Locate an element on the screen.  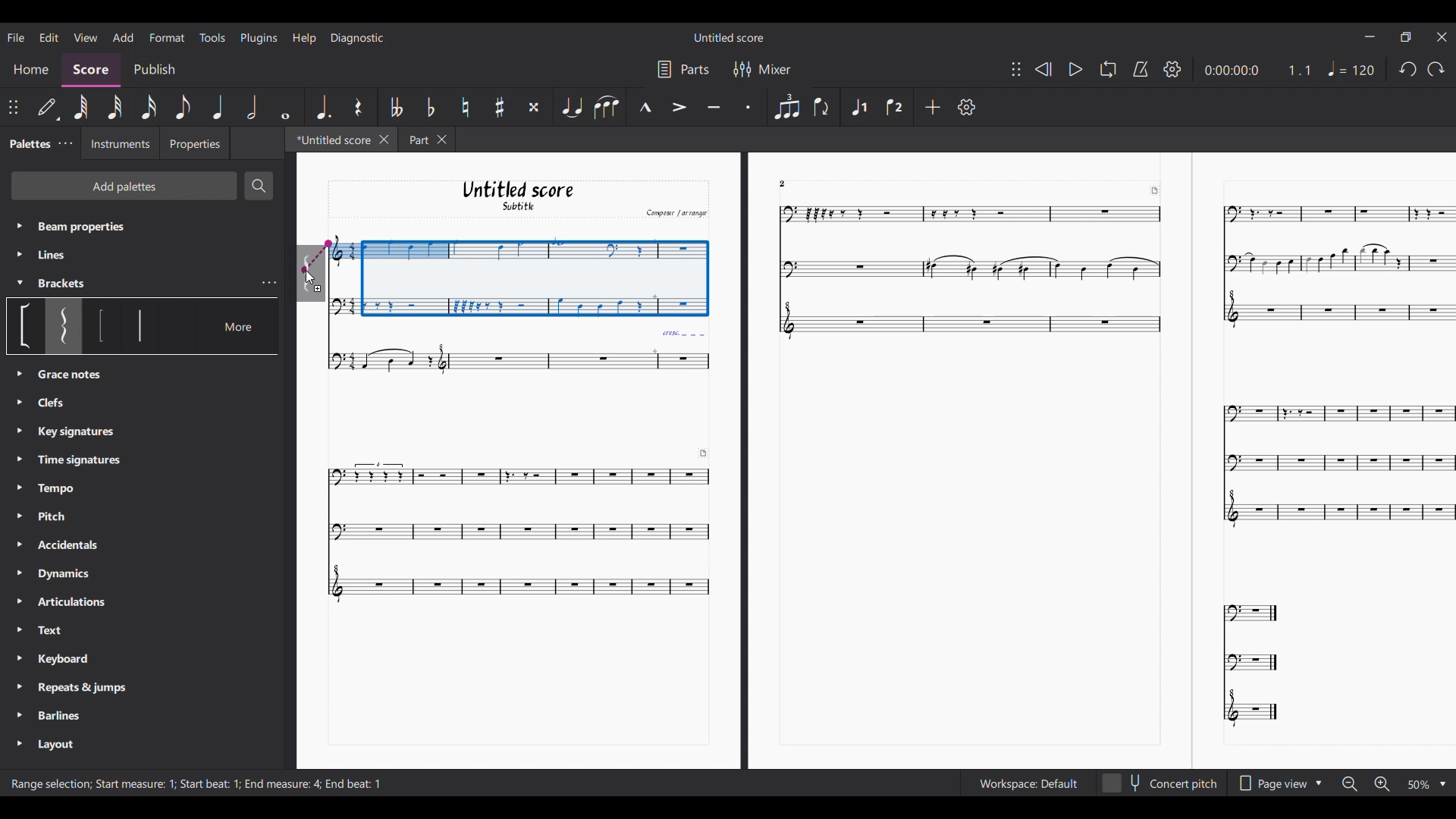
Option under bracket section is located at coordinates (27, 326).